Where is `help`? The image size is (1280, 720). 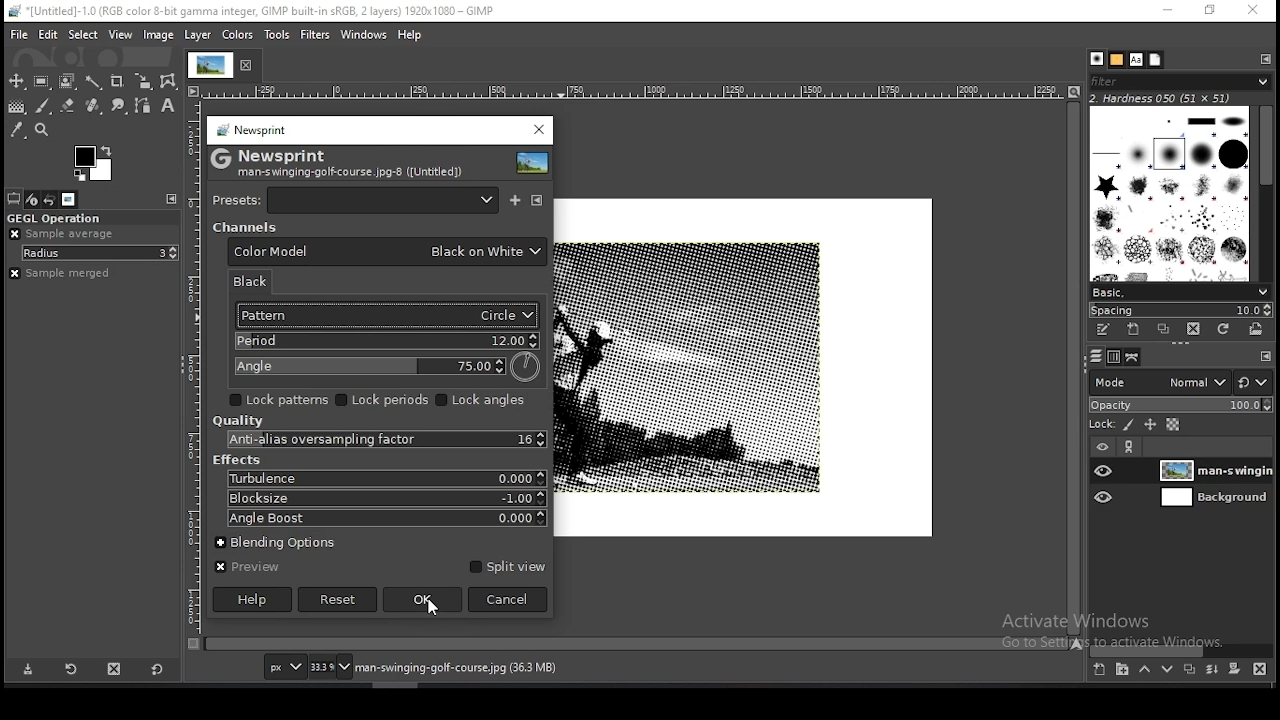 help is located at coordinates (253, 599).